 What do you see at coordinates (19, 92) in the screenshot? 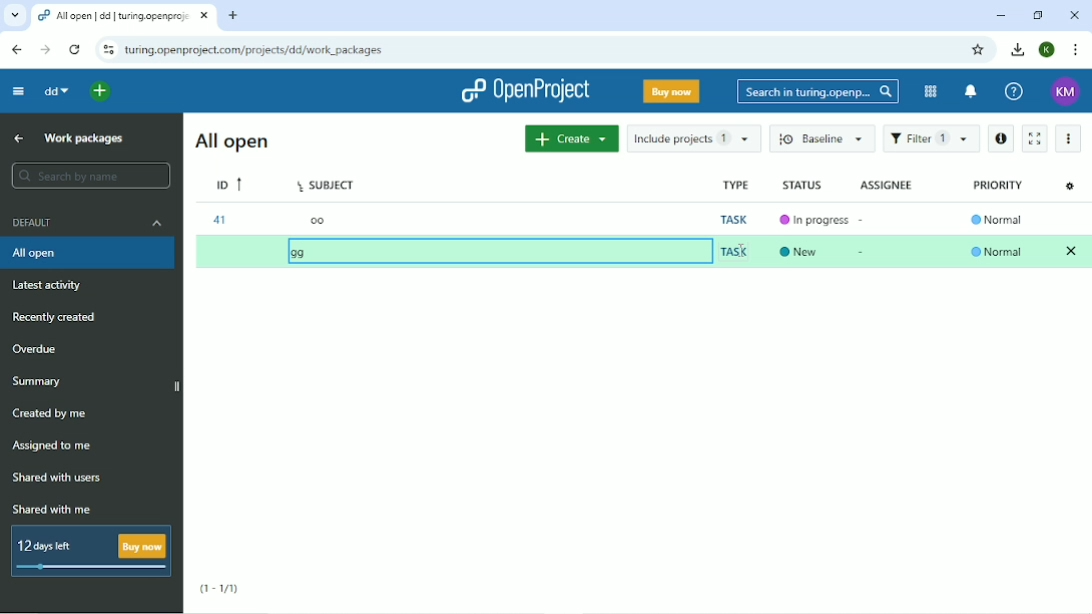
I see `Collapse project menu` at bounding box center [19, 92].